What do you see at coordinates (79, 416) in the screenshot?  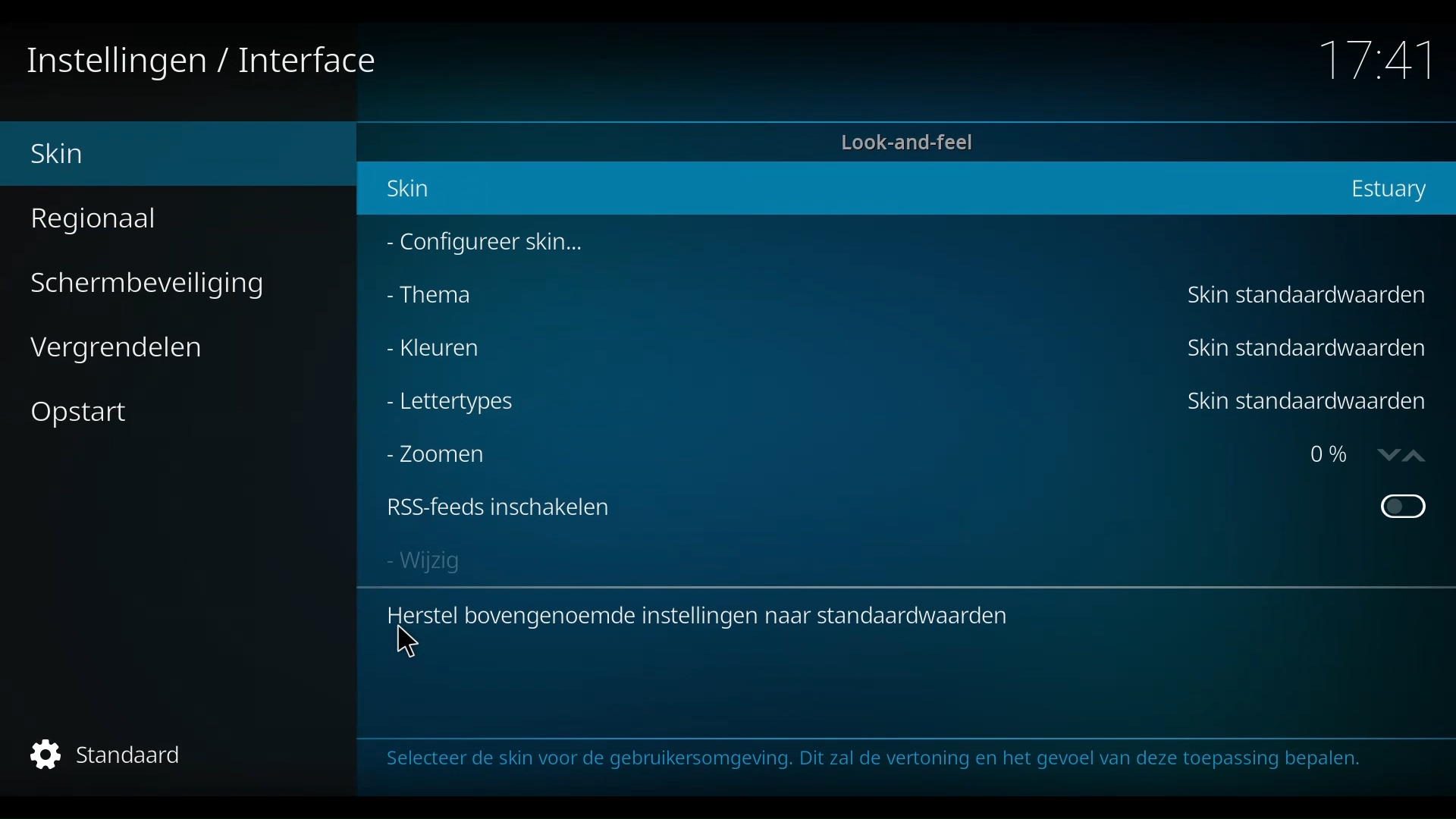 I see `Opstart` at bounding box center [79, 416].